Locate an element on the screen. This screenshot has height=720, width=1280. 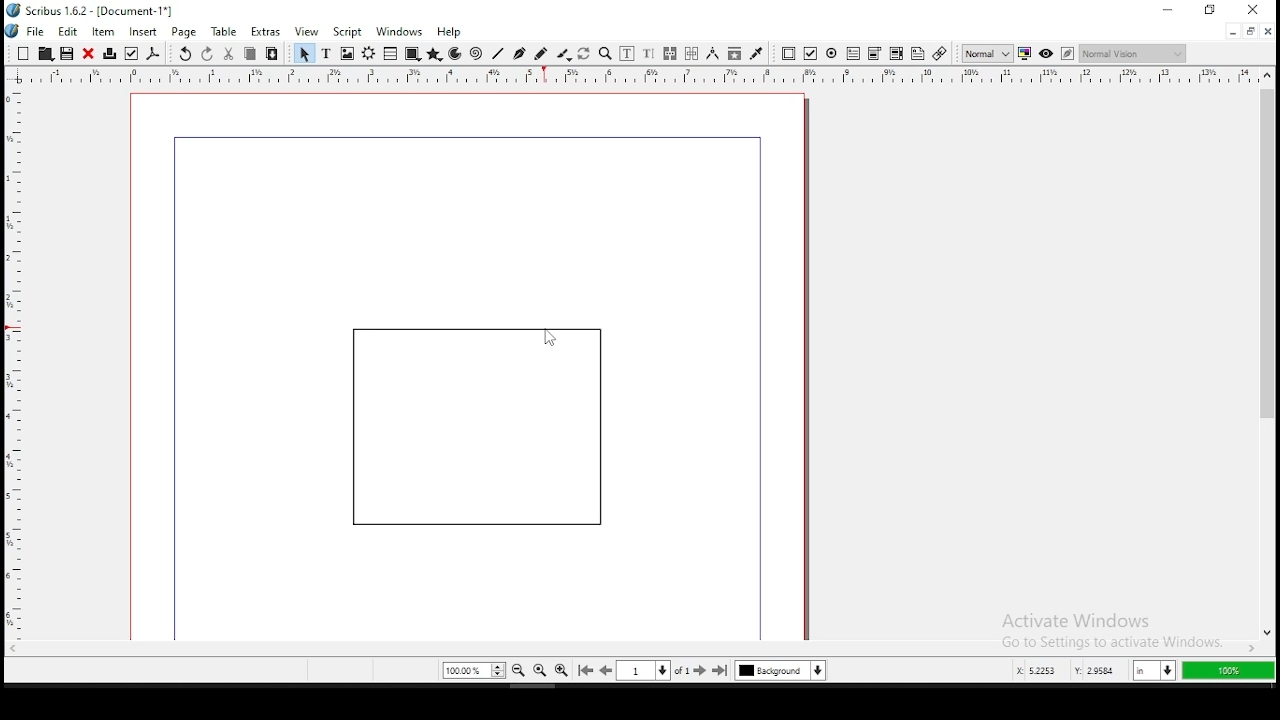
text is located at coordinates (327, 53).